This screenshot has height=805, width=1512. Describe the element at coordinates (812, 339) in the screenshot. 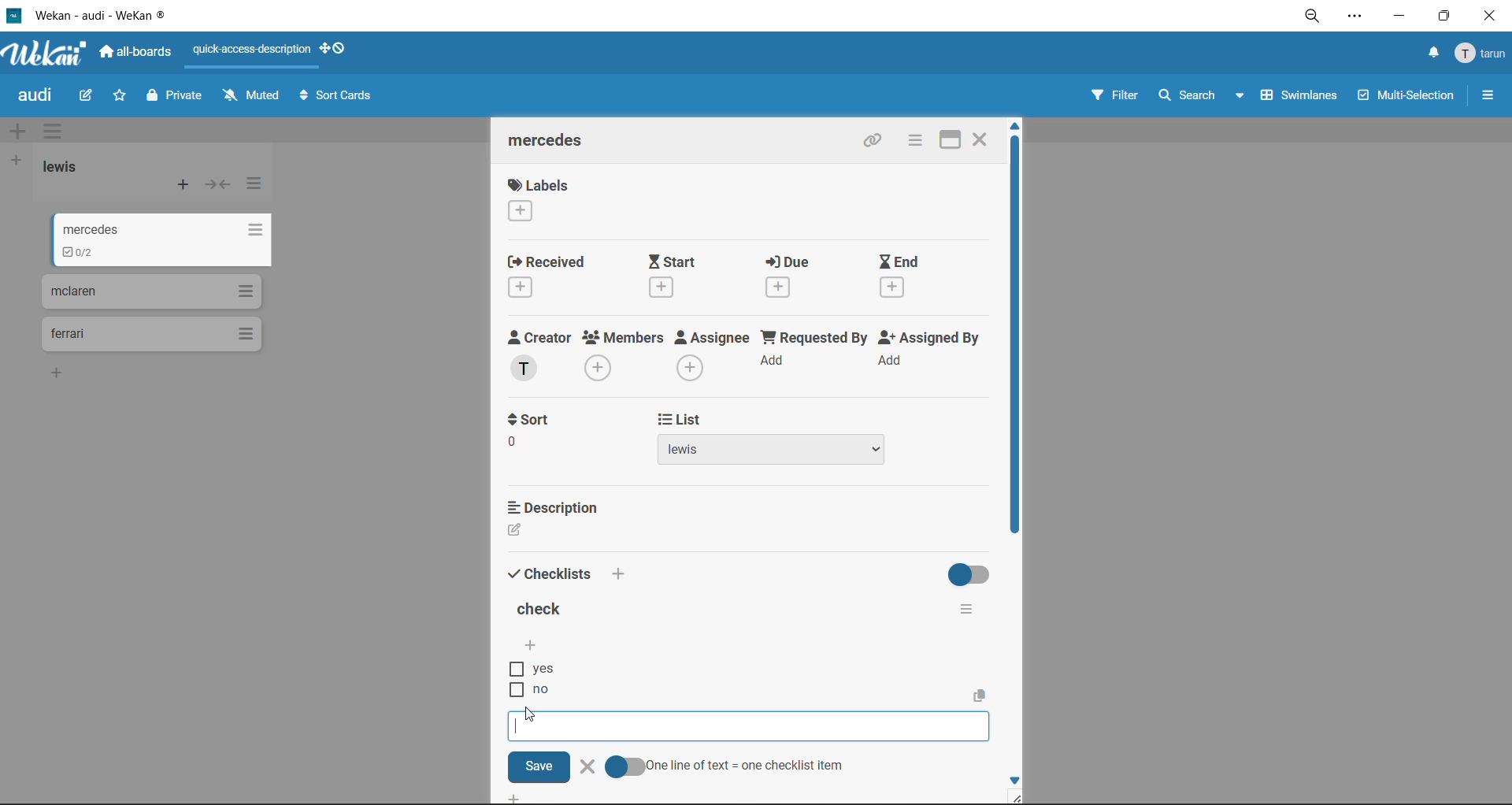

I see `requested by` at that location.